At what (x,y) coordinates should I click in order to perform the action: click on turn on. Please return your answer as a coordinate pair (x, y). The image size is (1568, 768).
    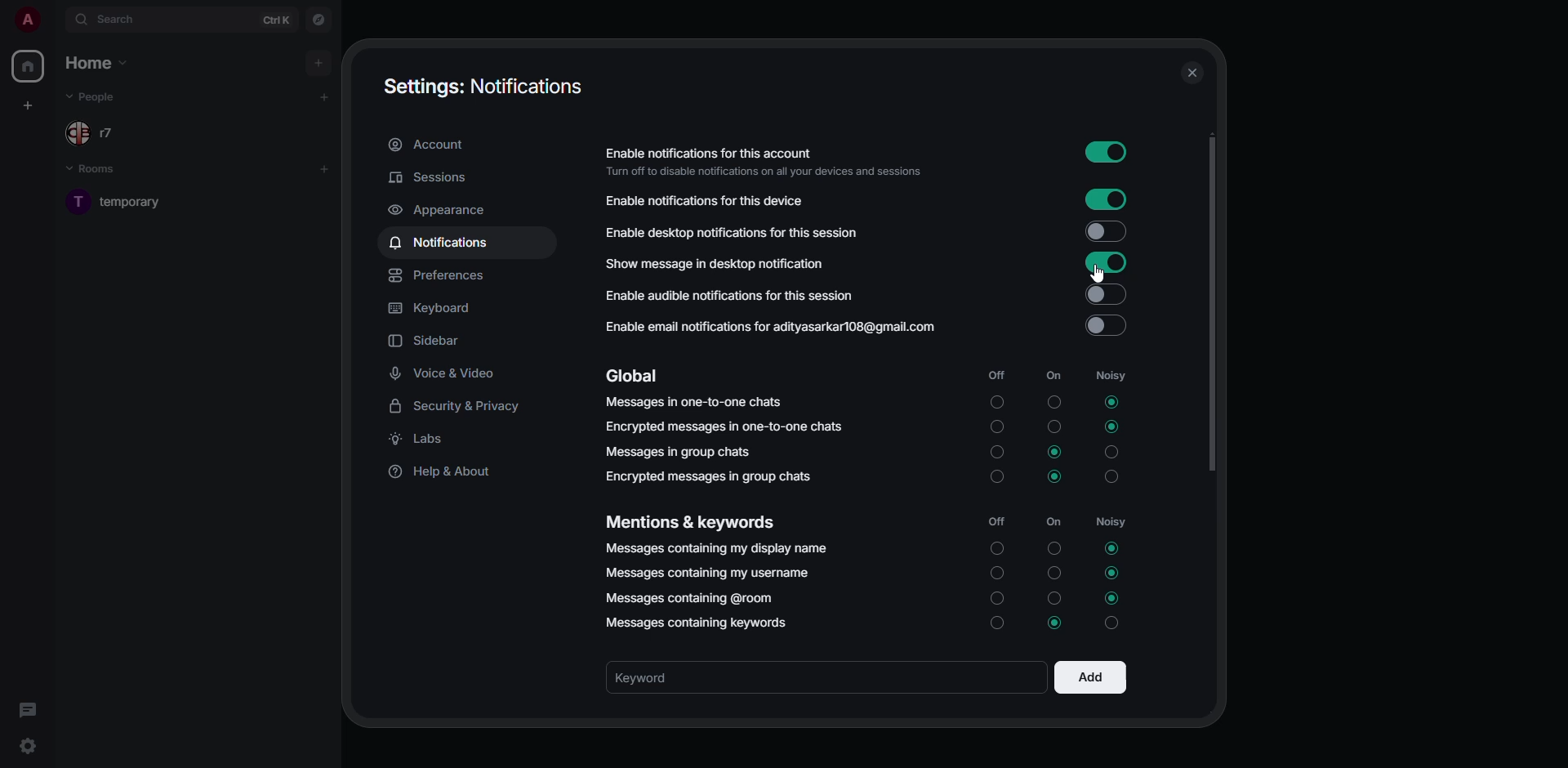
    Looking at the image, I should click on (996, 398).